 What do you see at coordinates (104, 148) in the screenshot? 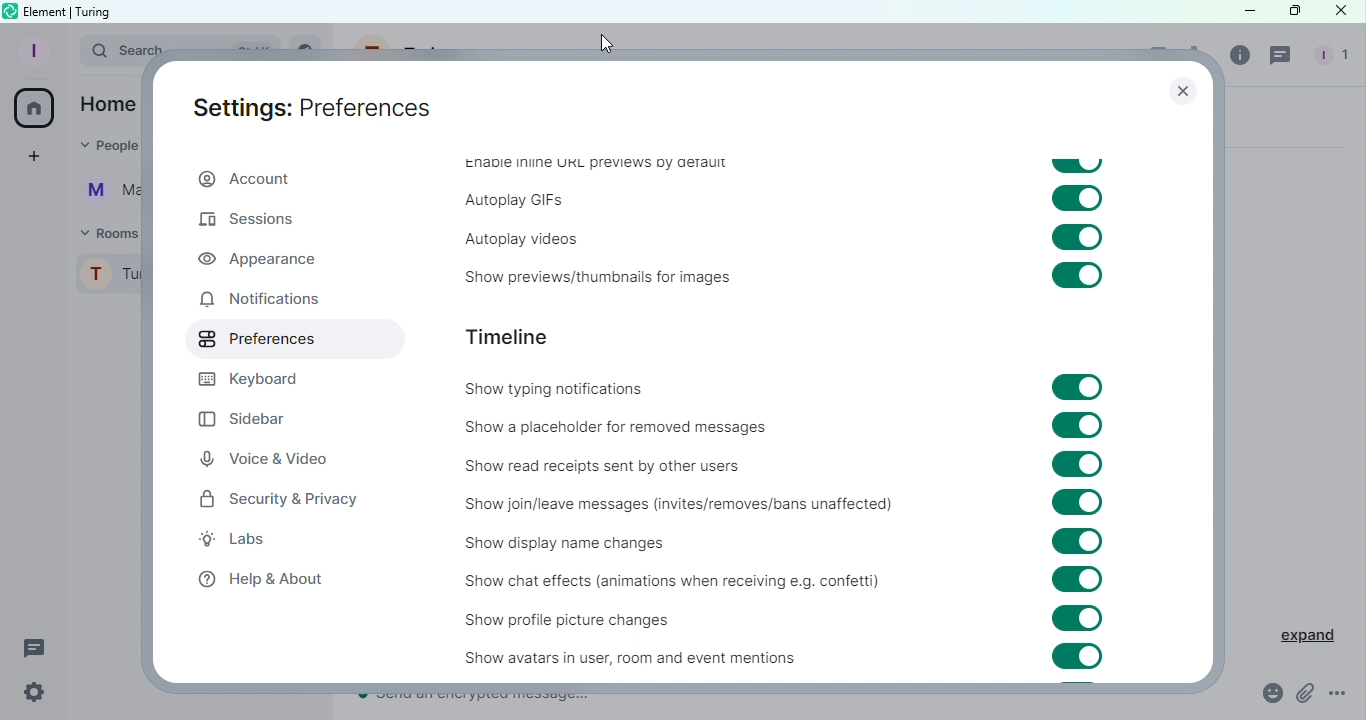
I see `People` at bounding box center [104, 148].